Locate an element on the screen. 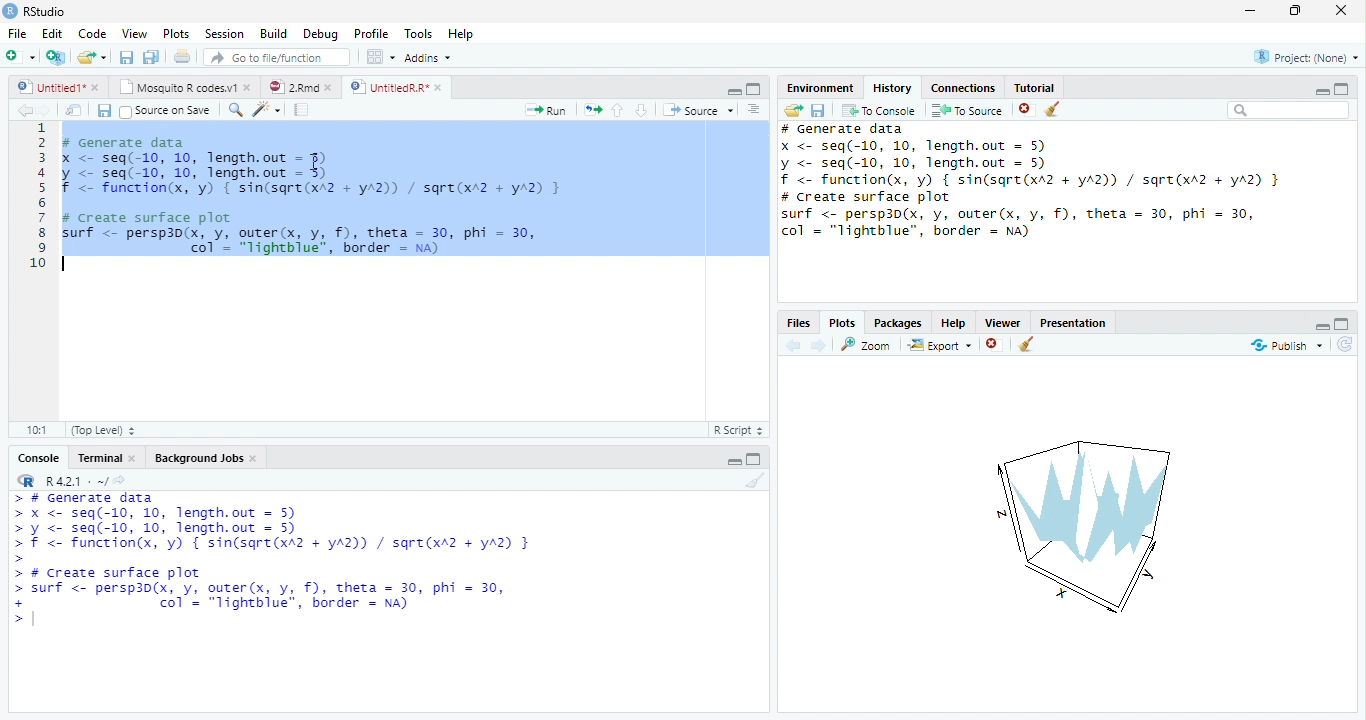 The height and width of the screenshot is (720, 1366). File is located at coordinates (17, 33).